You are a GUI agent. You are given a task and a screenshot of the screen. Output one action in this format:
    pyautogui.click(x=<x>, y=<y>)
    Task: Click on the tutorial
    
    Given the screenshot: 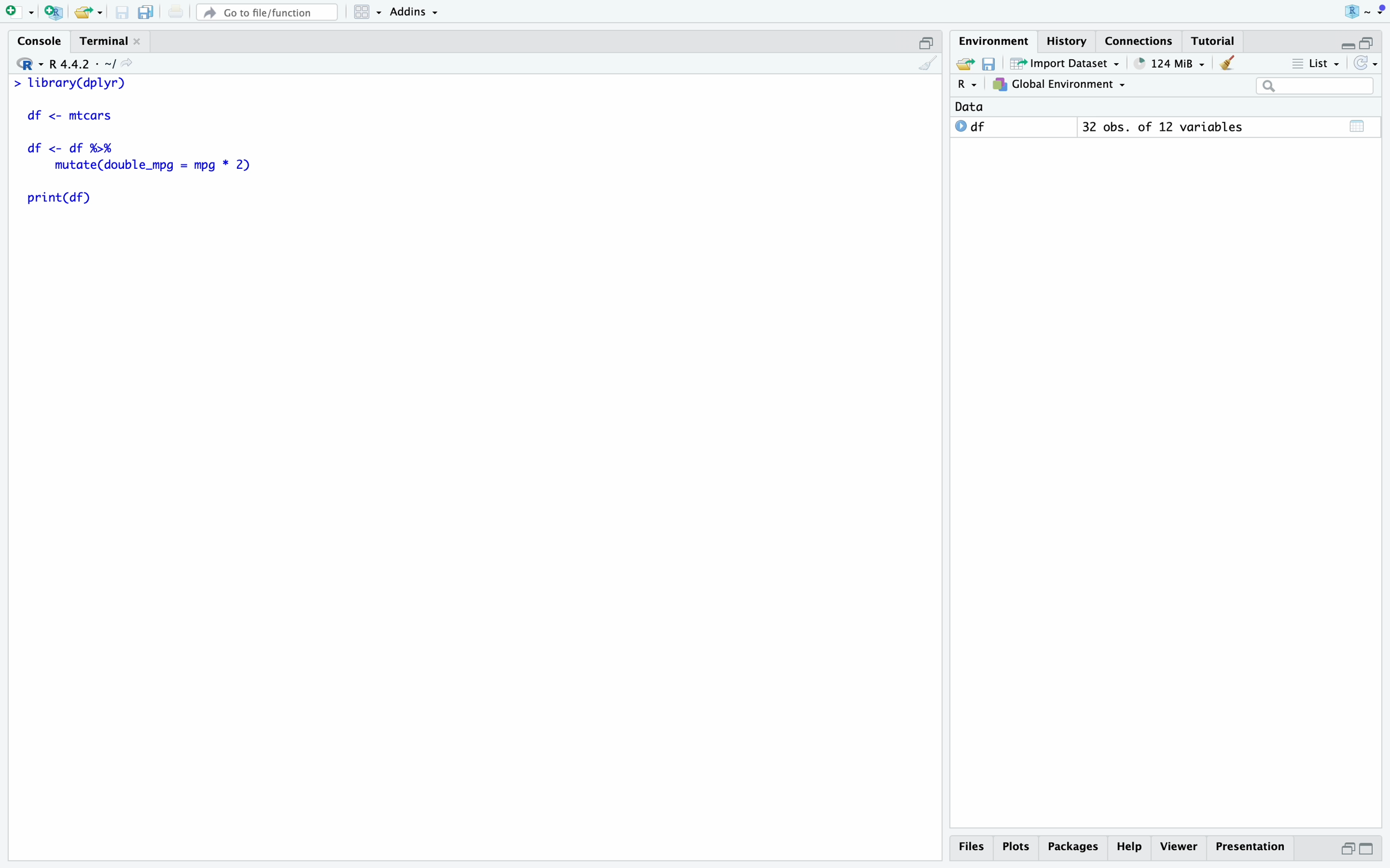 What is the action you would take?
    pyautogui.click(x=1213, y=41)
    